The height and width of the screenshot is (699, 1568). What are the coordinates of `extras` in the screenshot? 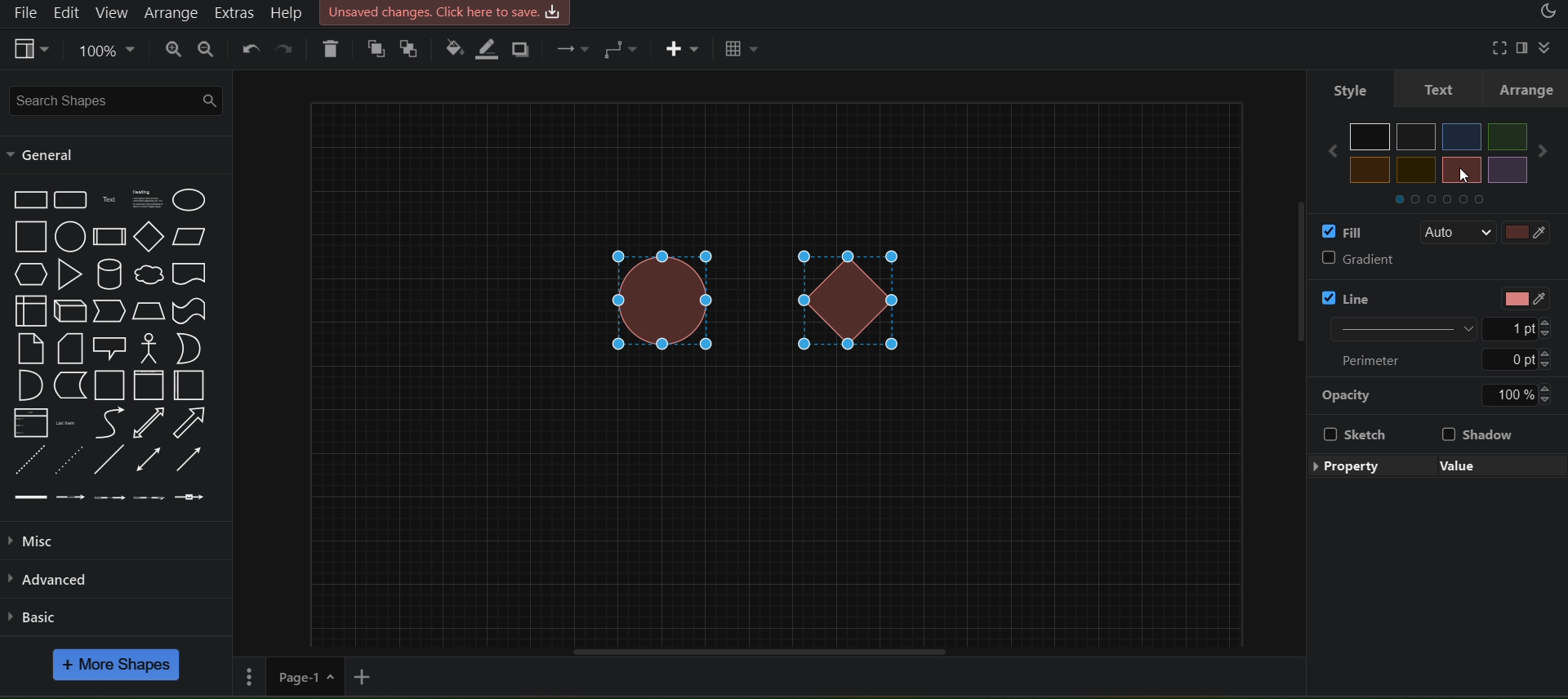 It's located at (232, 12).